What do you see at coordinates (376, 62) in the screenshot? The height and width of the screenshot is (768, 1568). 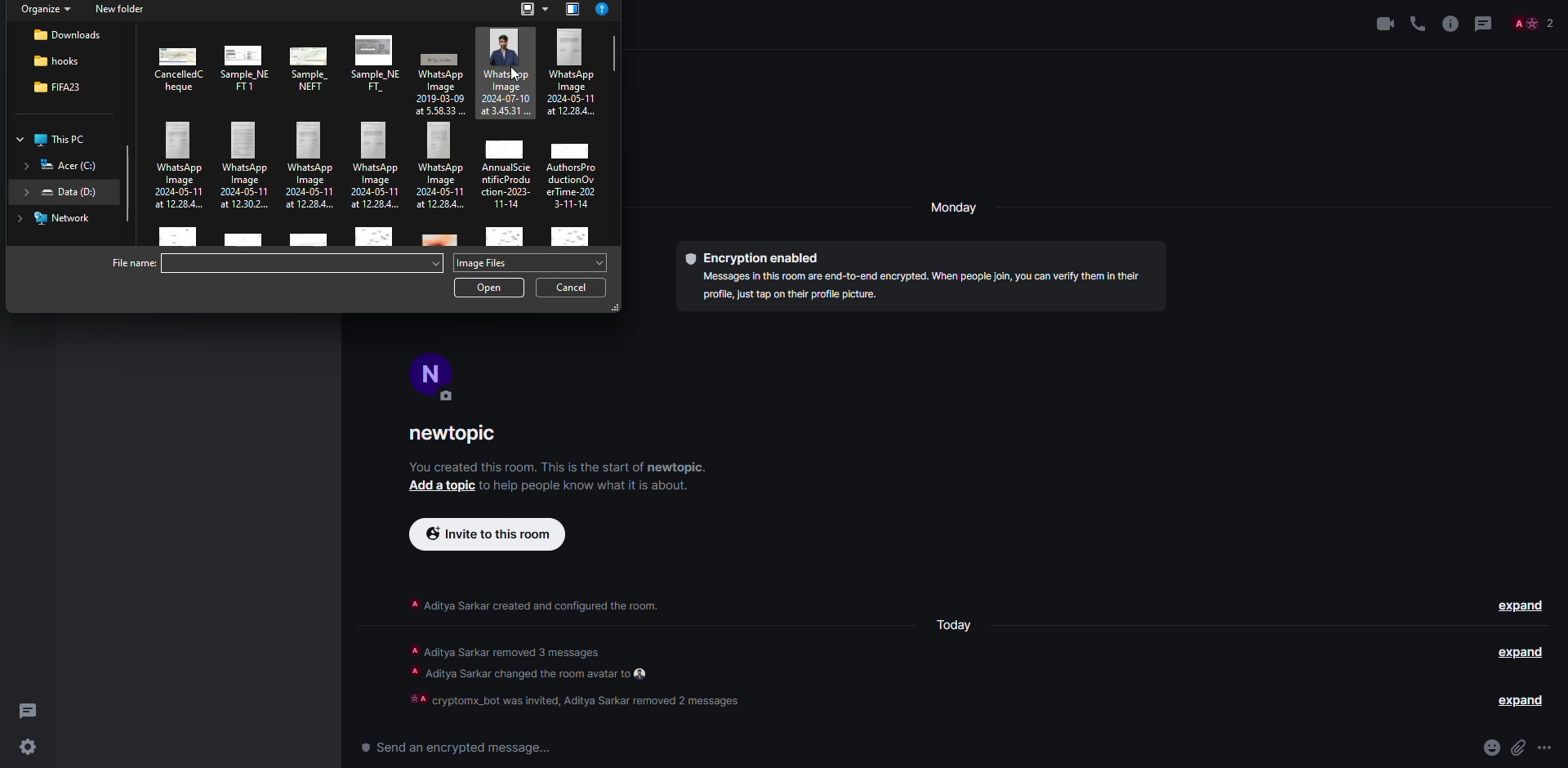 I see `click to select` at bounding box center [376, 62].